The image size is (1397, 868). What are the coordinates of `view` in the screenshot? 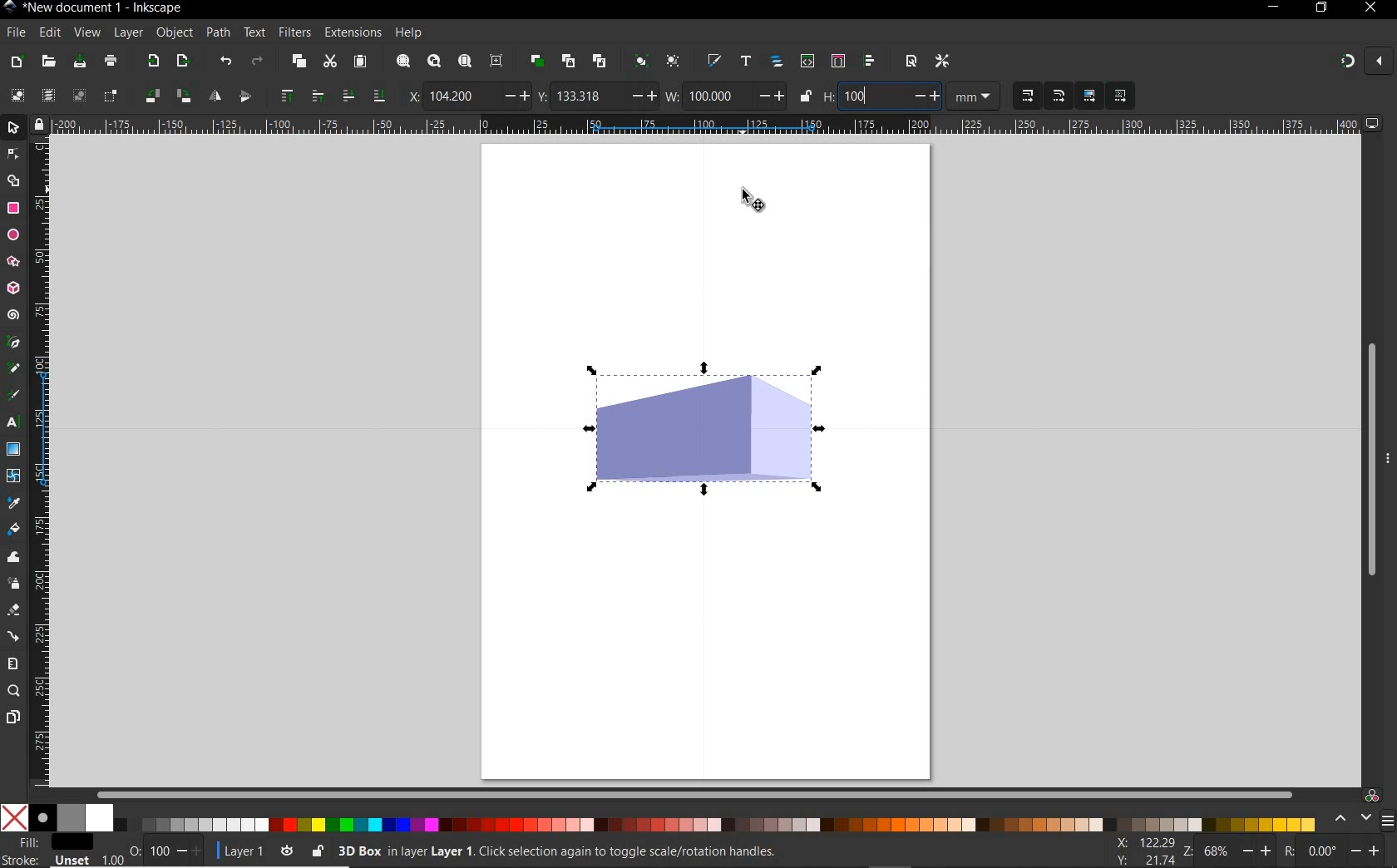 It's located at (86, 33).